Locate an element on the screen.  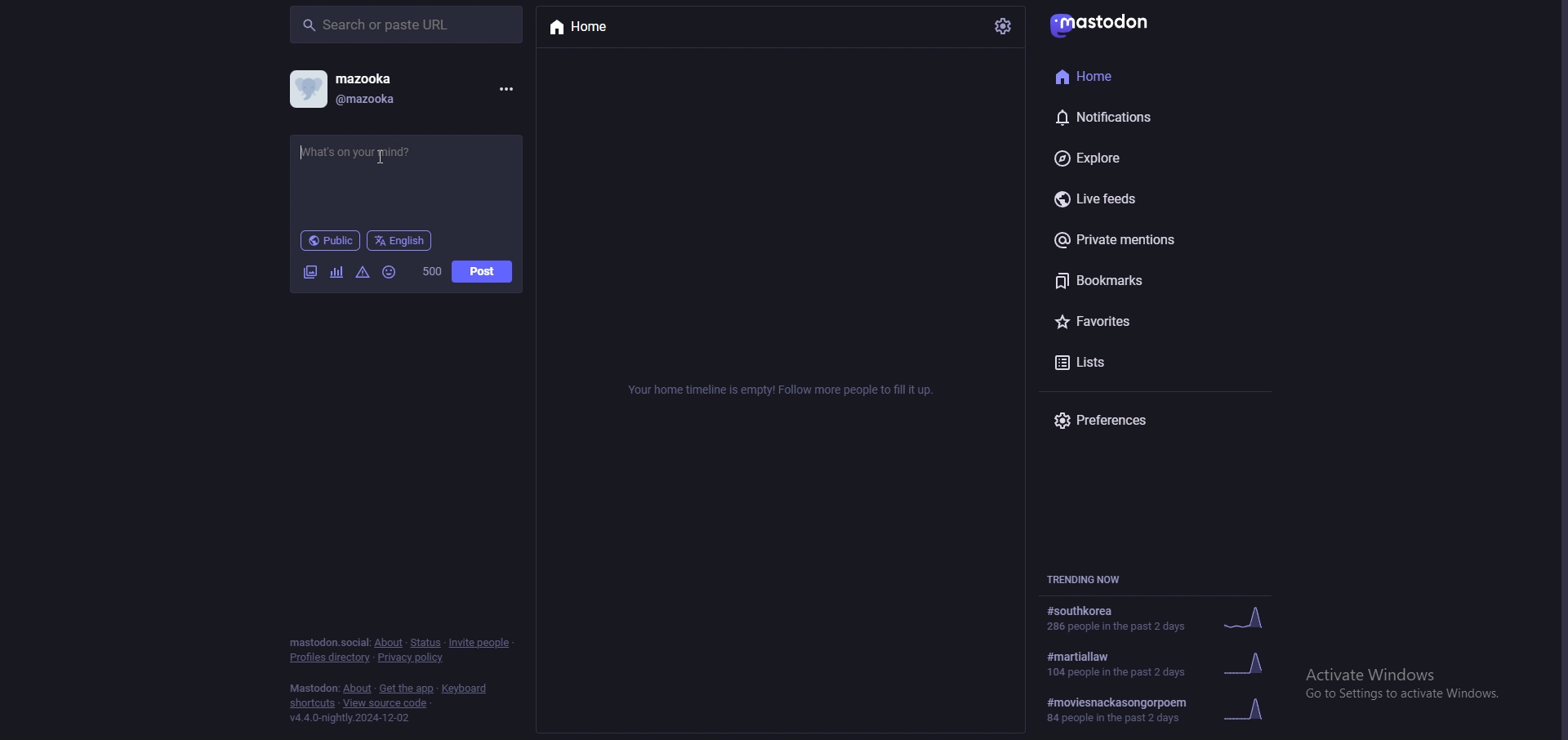
profile is located at coordinates (347, 89).